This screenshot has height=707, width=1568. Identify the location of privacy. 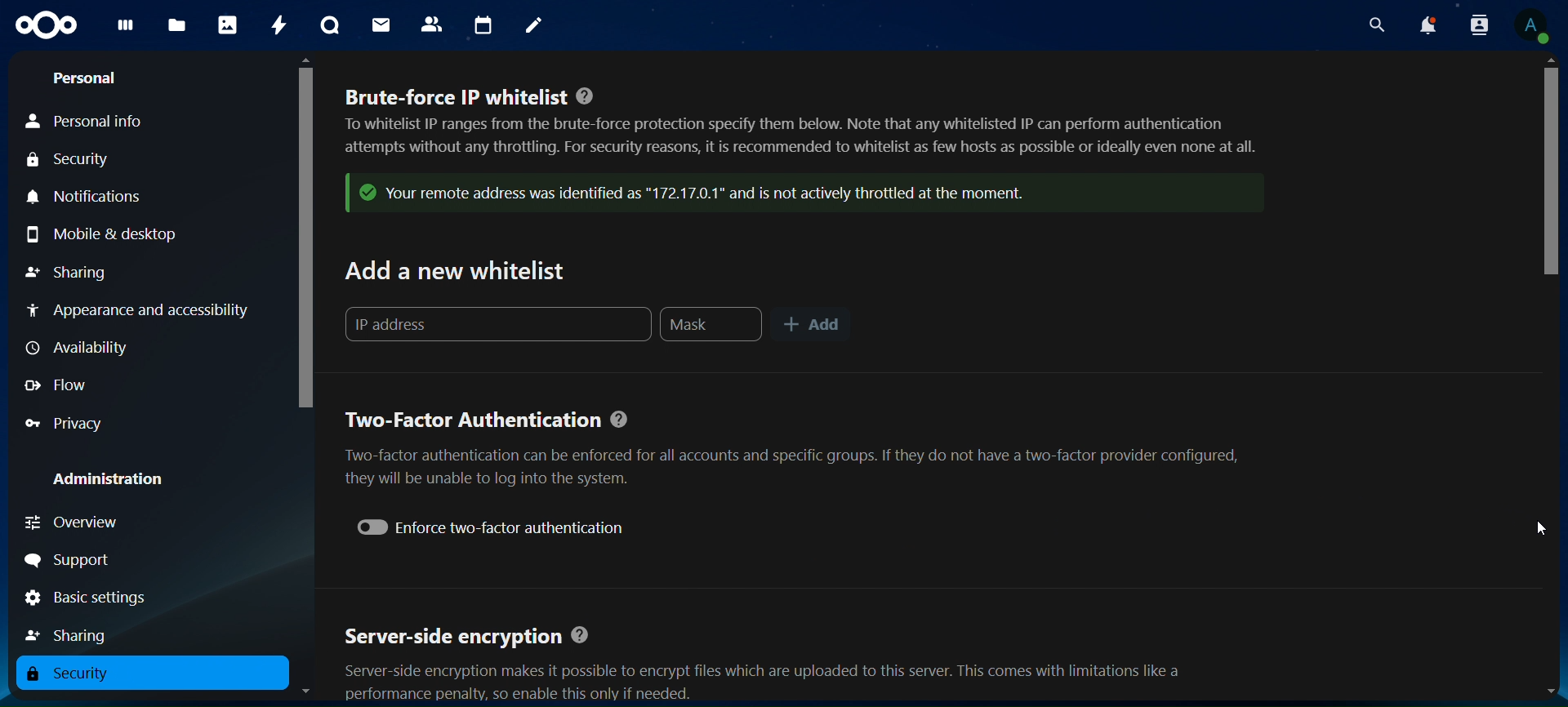
(65, 425).